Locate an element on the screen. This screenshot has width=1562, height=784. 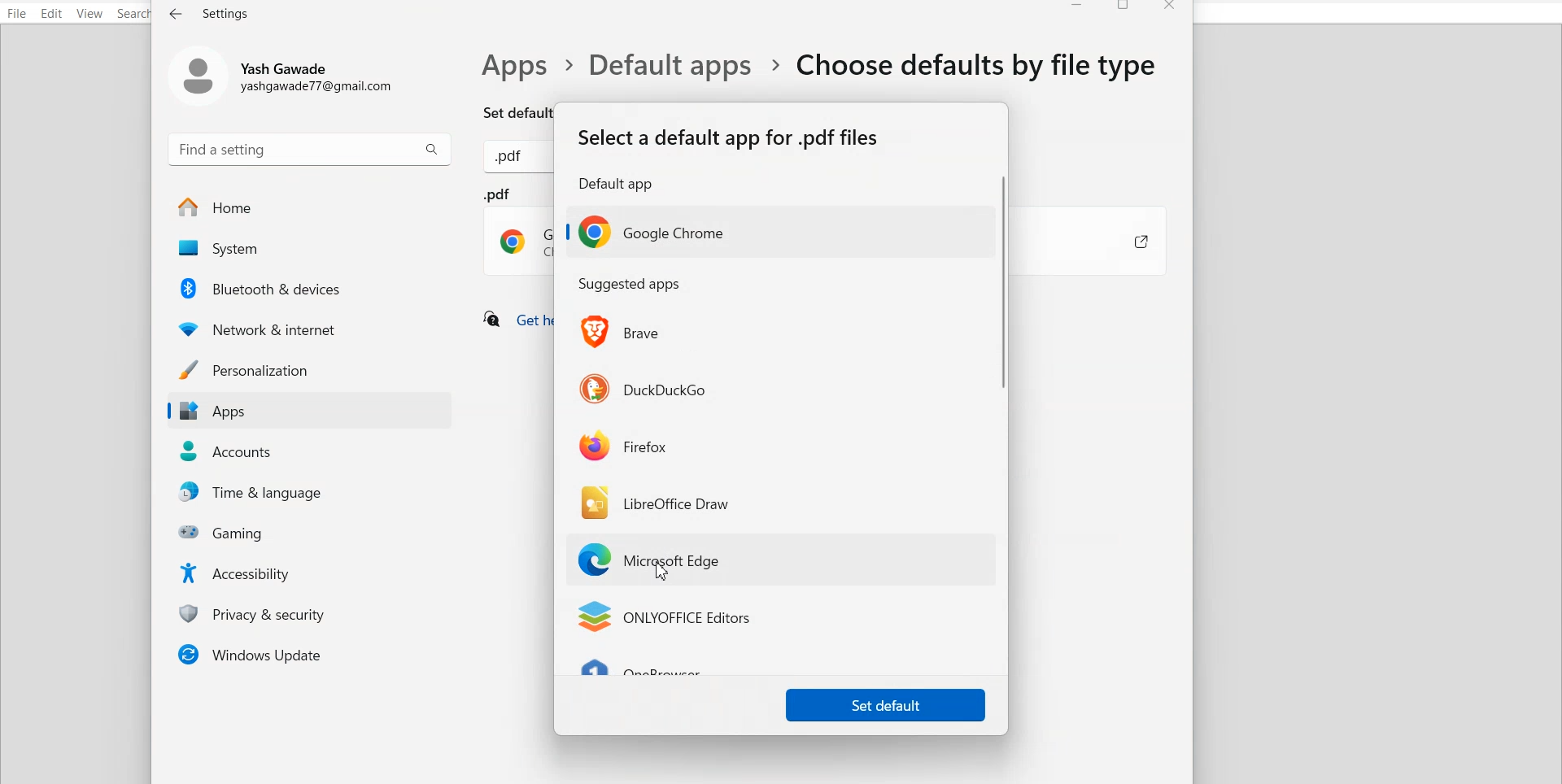
One Resource is located at coordinates (651, 670).